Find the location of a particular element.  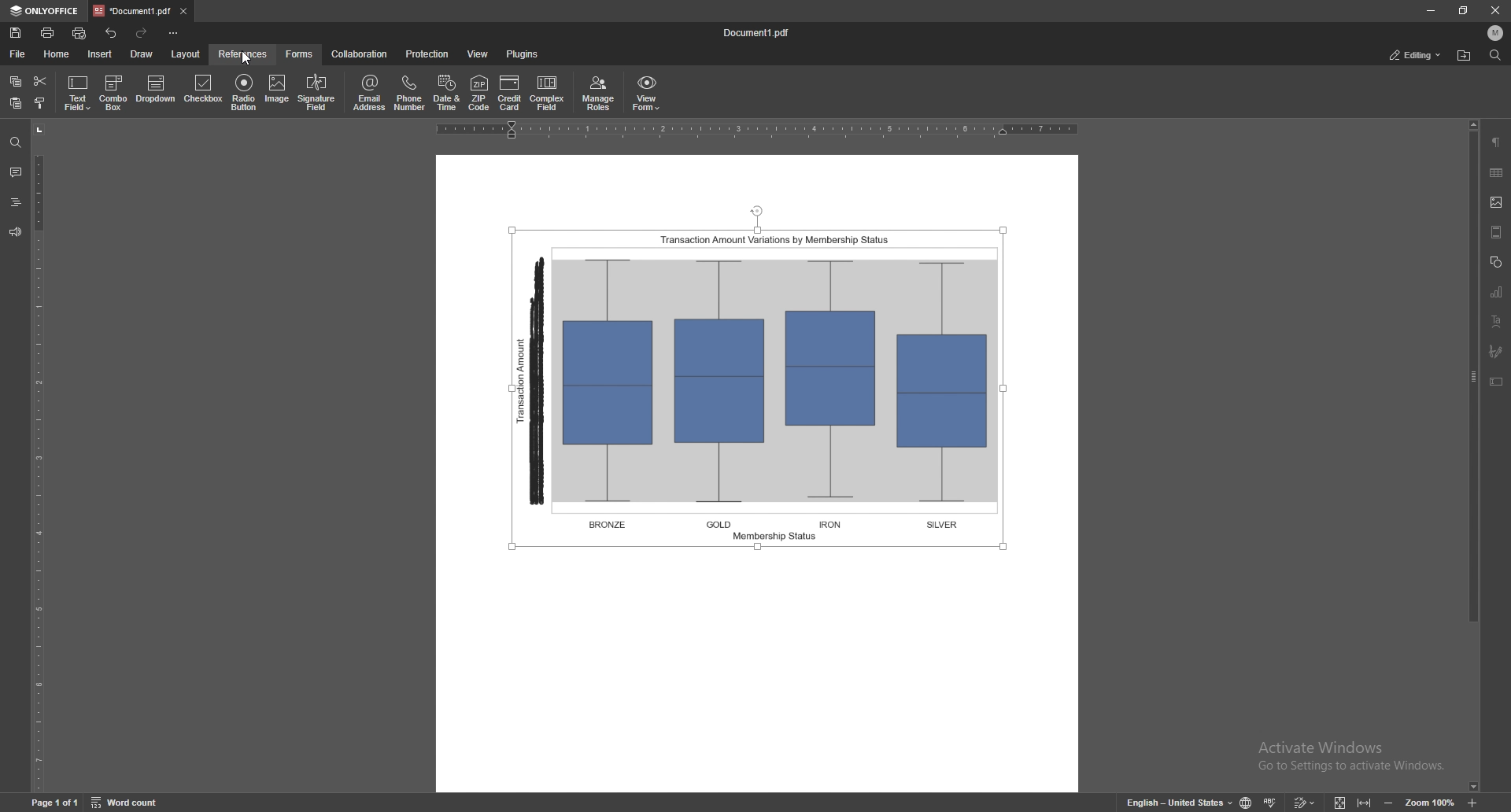

profile is located at coordinates (1495, 32).